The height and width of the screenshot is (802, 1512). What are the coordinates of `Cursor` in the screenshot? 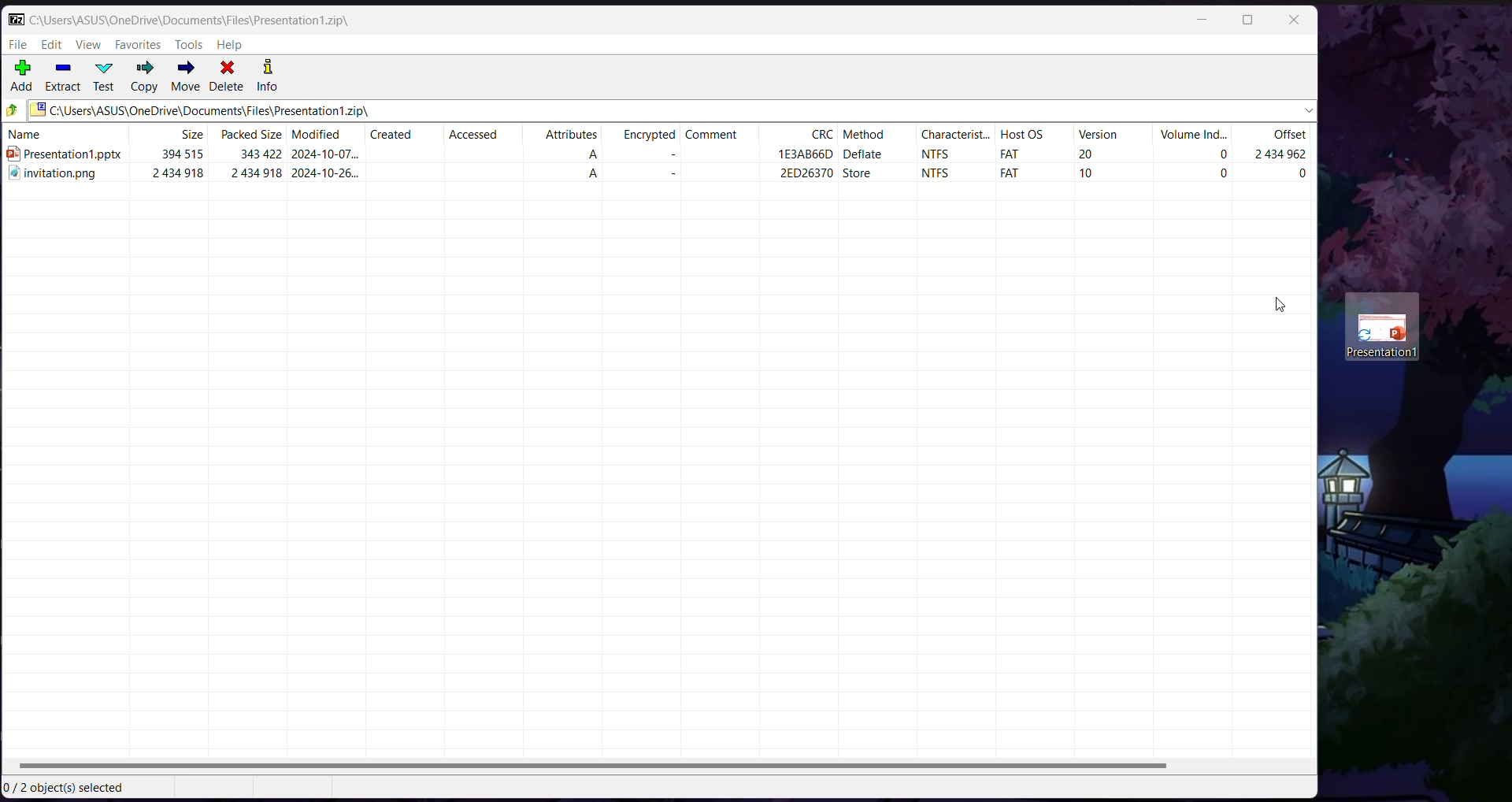 It's located at (1277, 303).